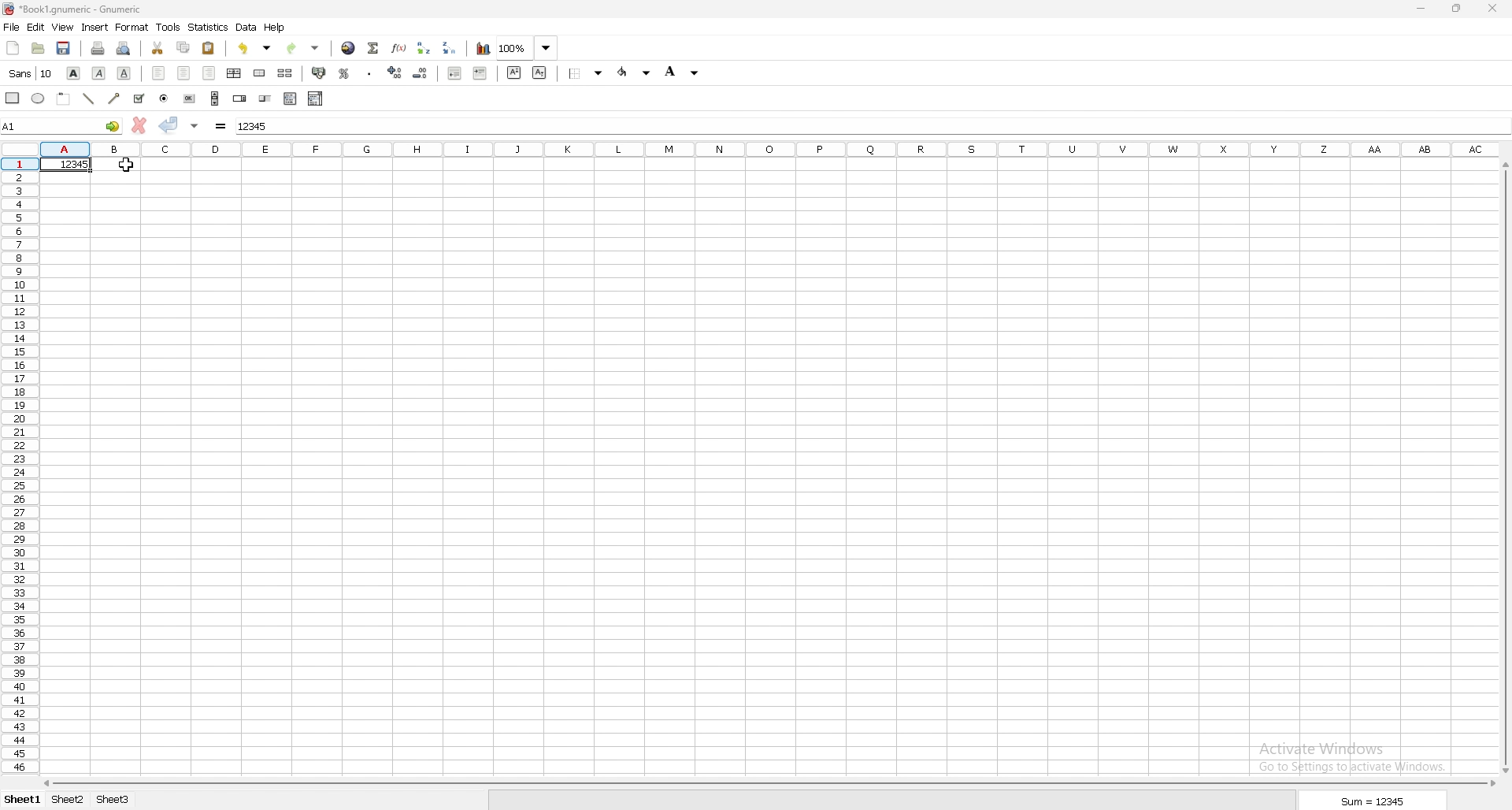 The width and height of the screenshot is (1512, 810). I want to click on bold, so click(73, 72).